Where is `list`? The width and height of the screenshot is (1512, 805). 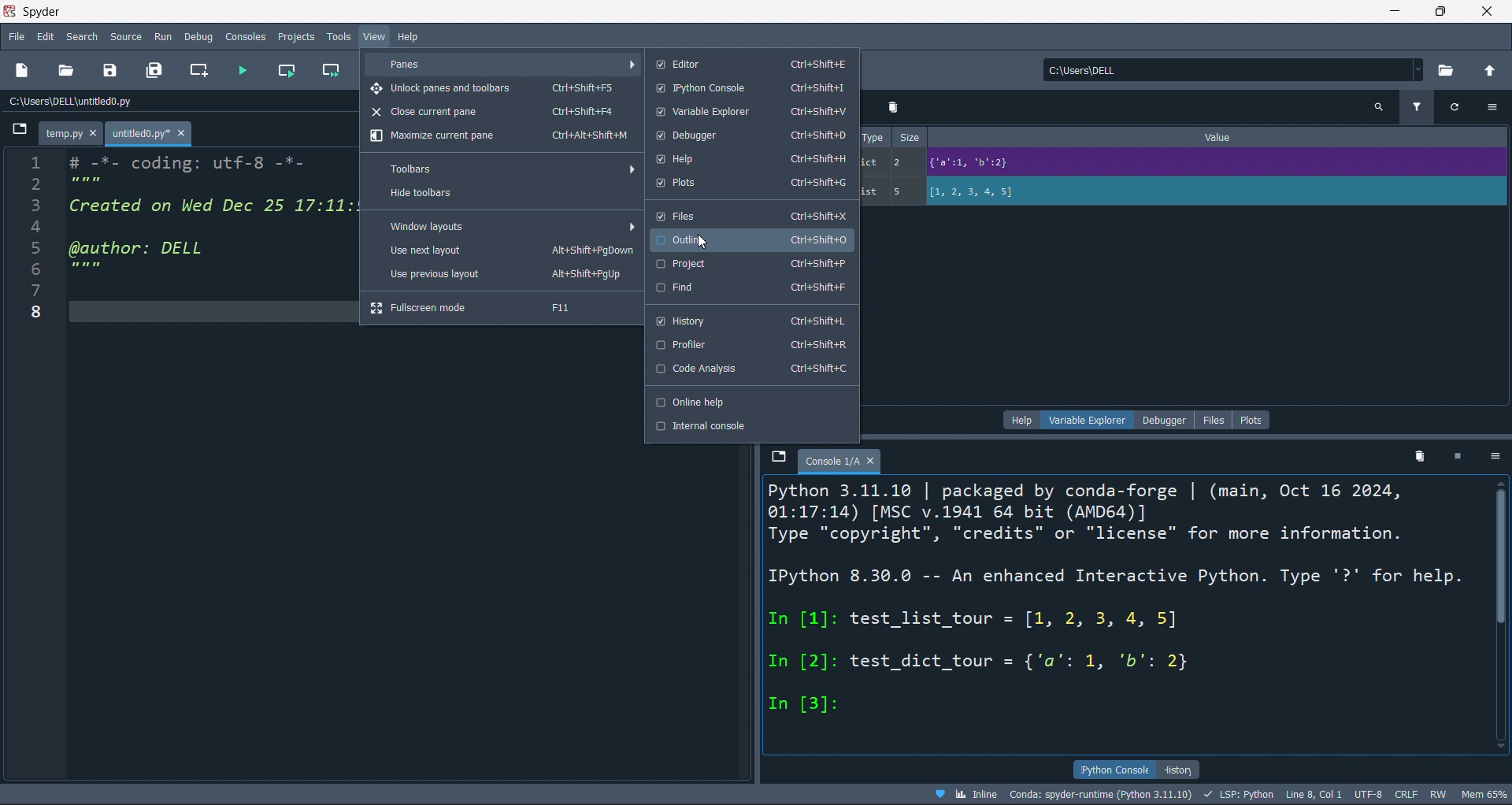
list is located at coordinates (873, 191).